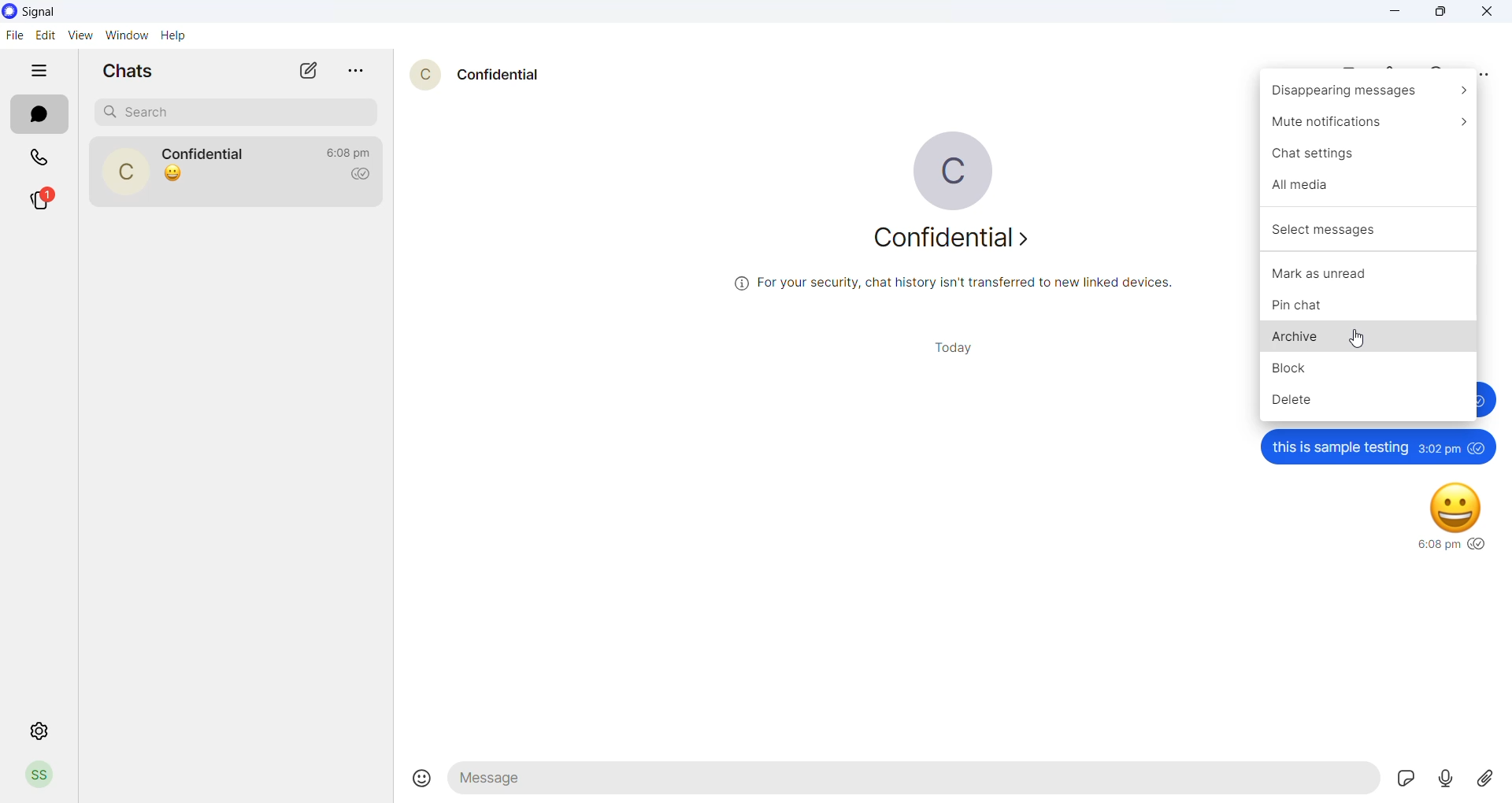  Describe the element at coordinates (65, 11) in the screenshot. I see `application logo and name` at that location.